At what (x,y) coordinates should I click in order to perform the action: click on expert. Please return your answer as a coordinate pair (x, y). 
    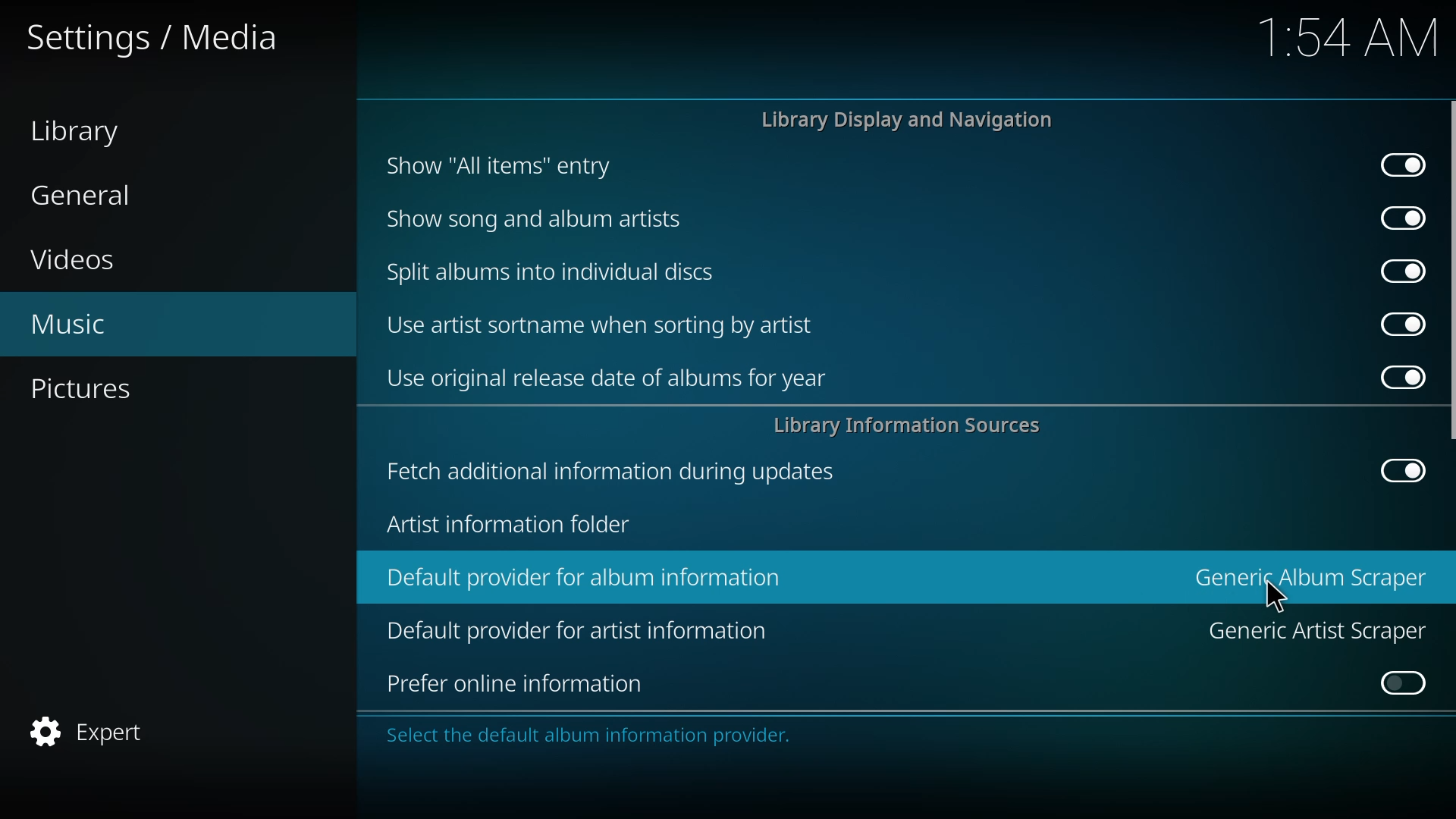
    Looking at the image, I should click on (100, 730).